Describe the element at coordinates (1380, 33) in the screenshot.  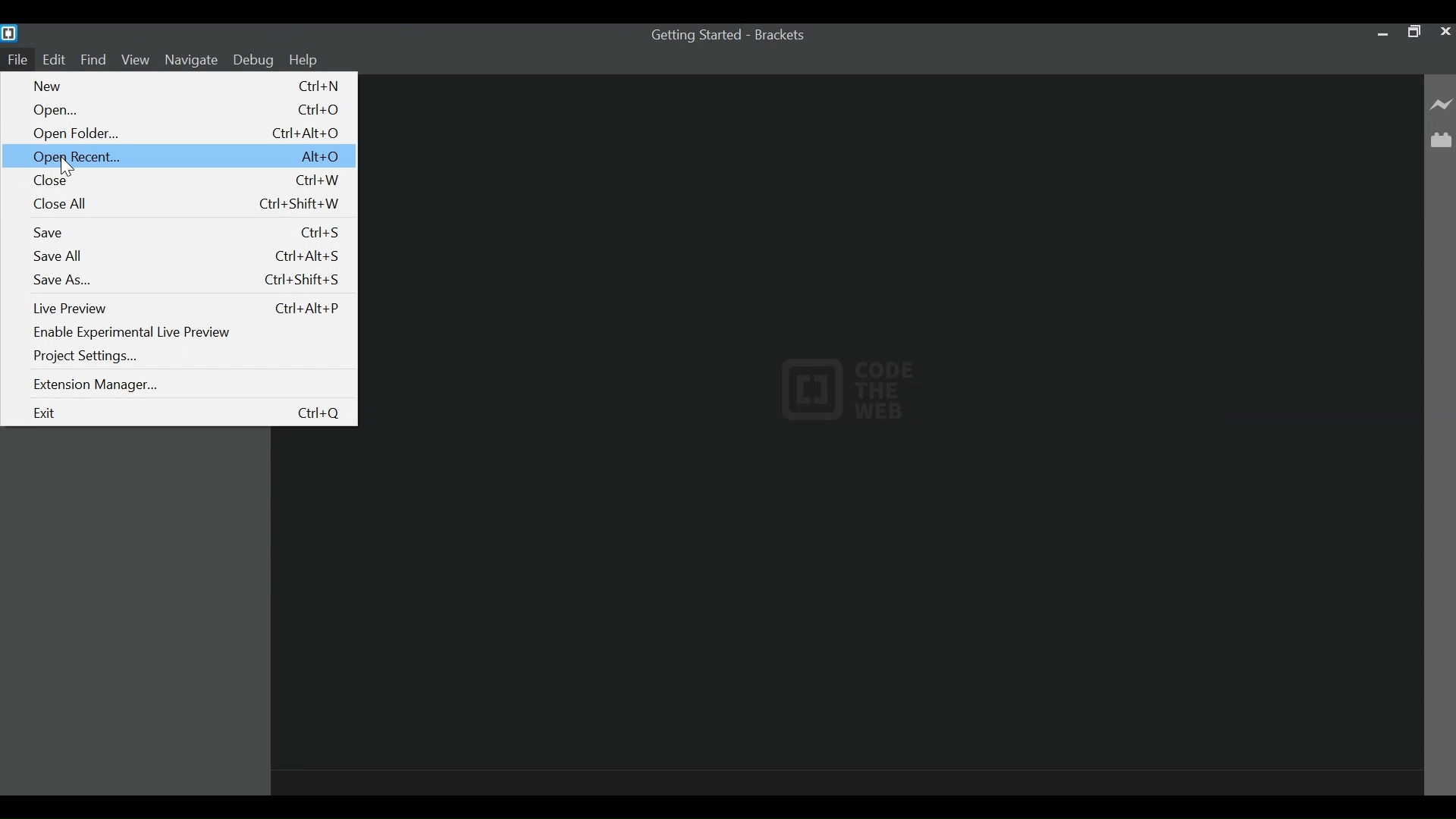
I see `minimize` at that location.